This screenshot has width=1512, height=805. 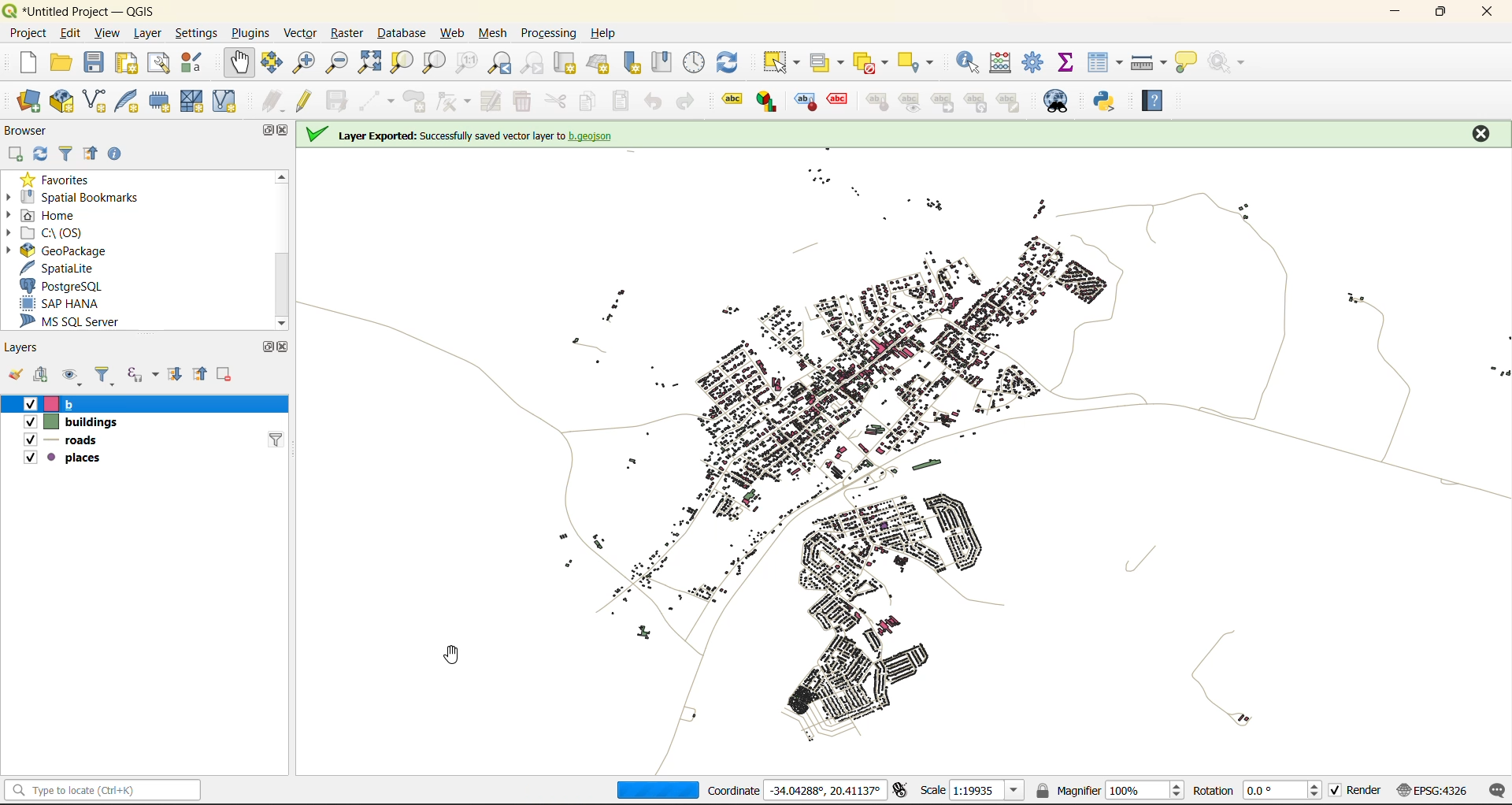 What do you see at coordinates (1185, 64) in the screenshot?
I see `show tips` at bounding box center [1185, 64].